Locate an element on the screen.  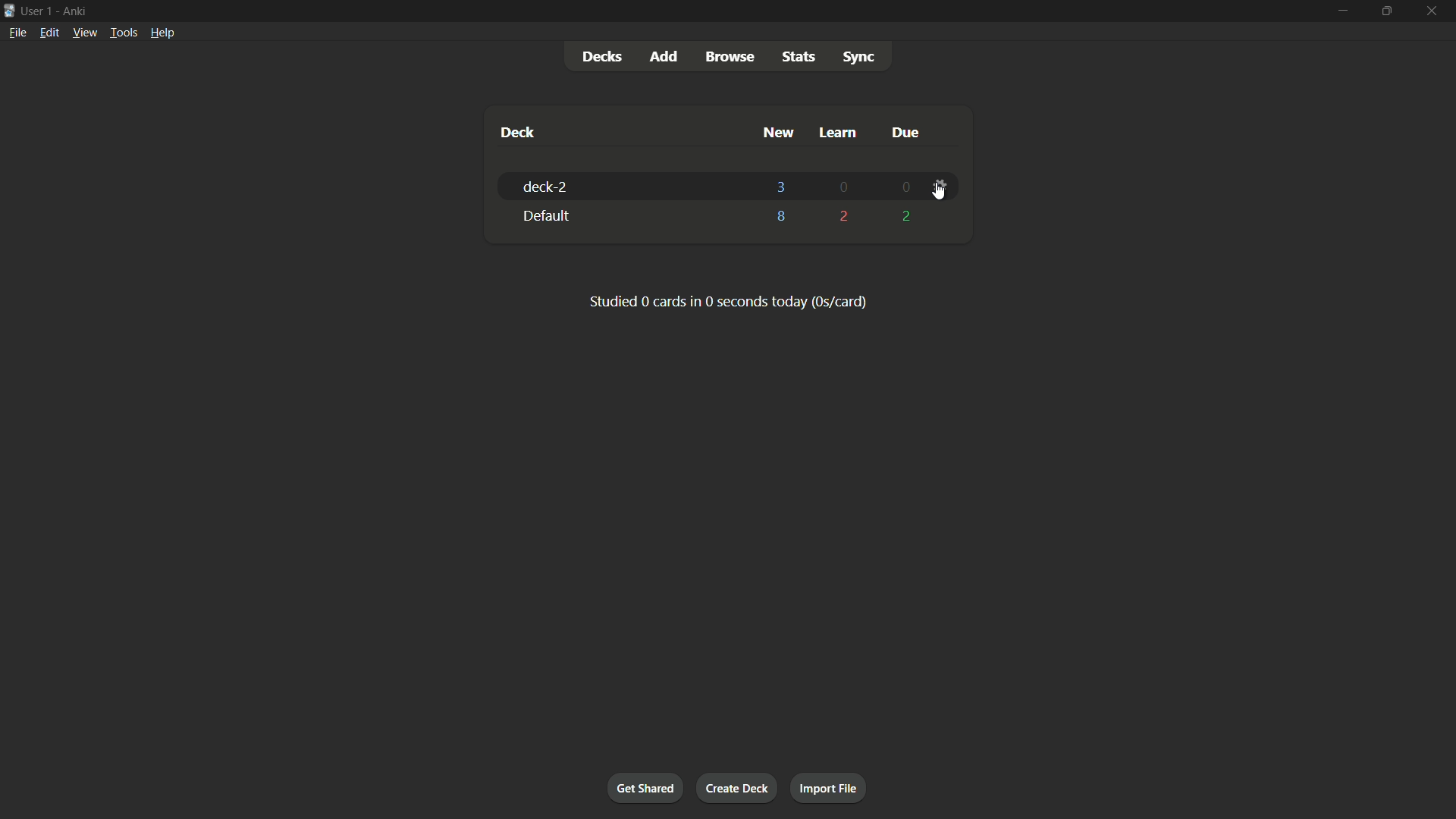
close app is located at coordinates (1436, 10).